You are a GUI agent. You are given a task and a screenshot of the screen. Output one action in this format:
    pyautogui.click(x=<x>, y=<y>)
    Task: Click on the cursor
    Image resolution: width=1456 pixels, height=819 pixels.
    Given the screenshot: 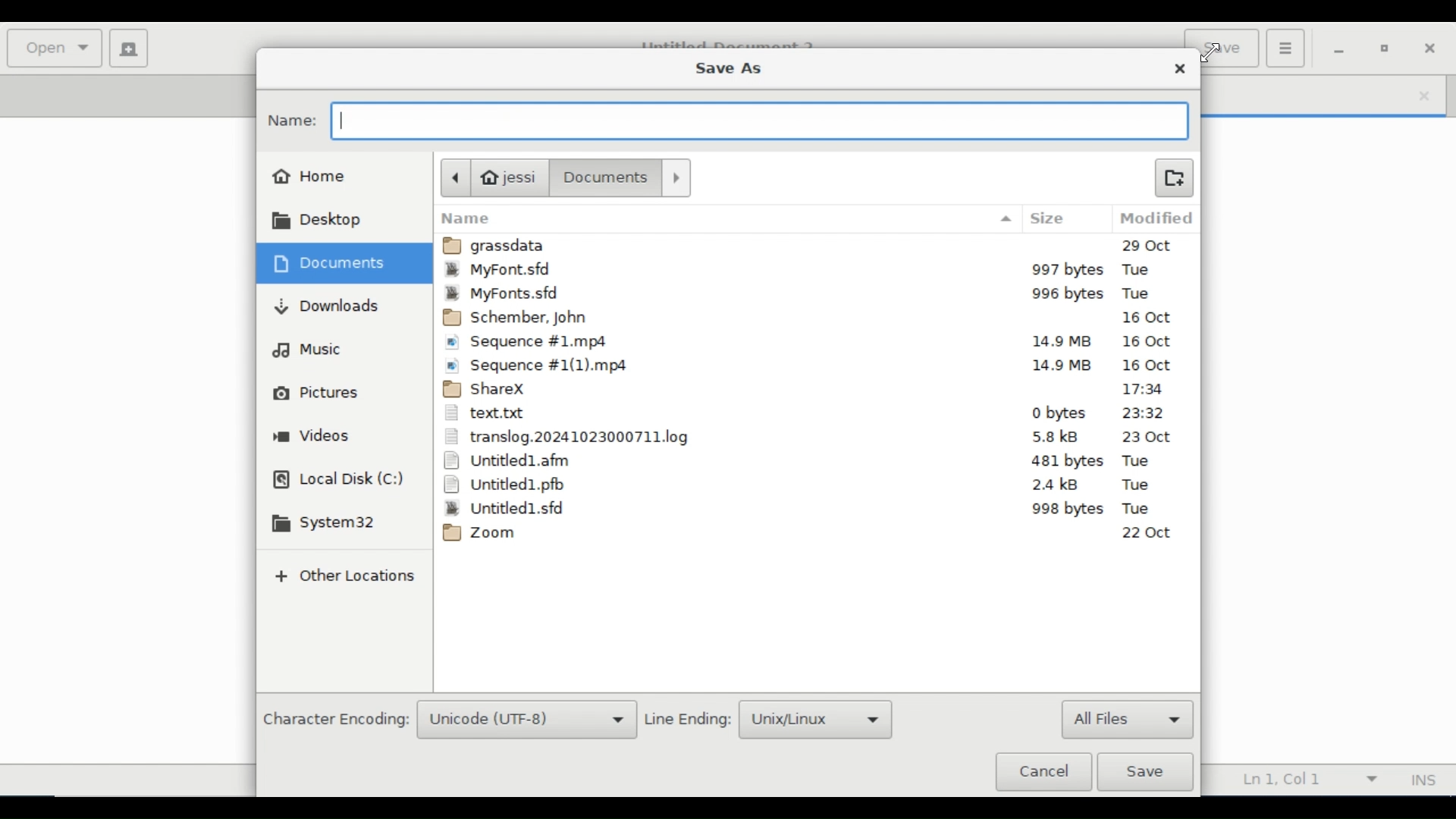 What is the action you would take?
    pyautogui.click(x=1216, y=56)
    